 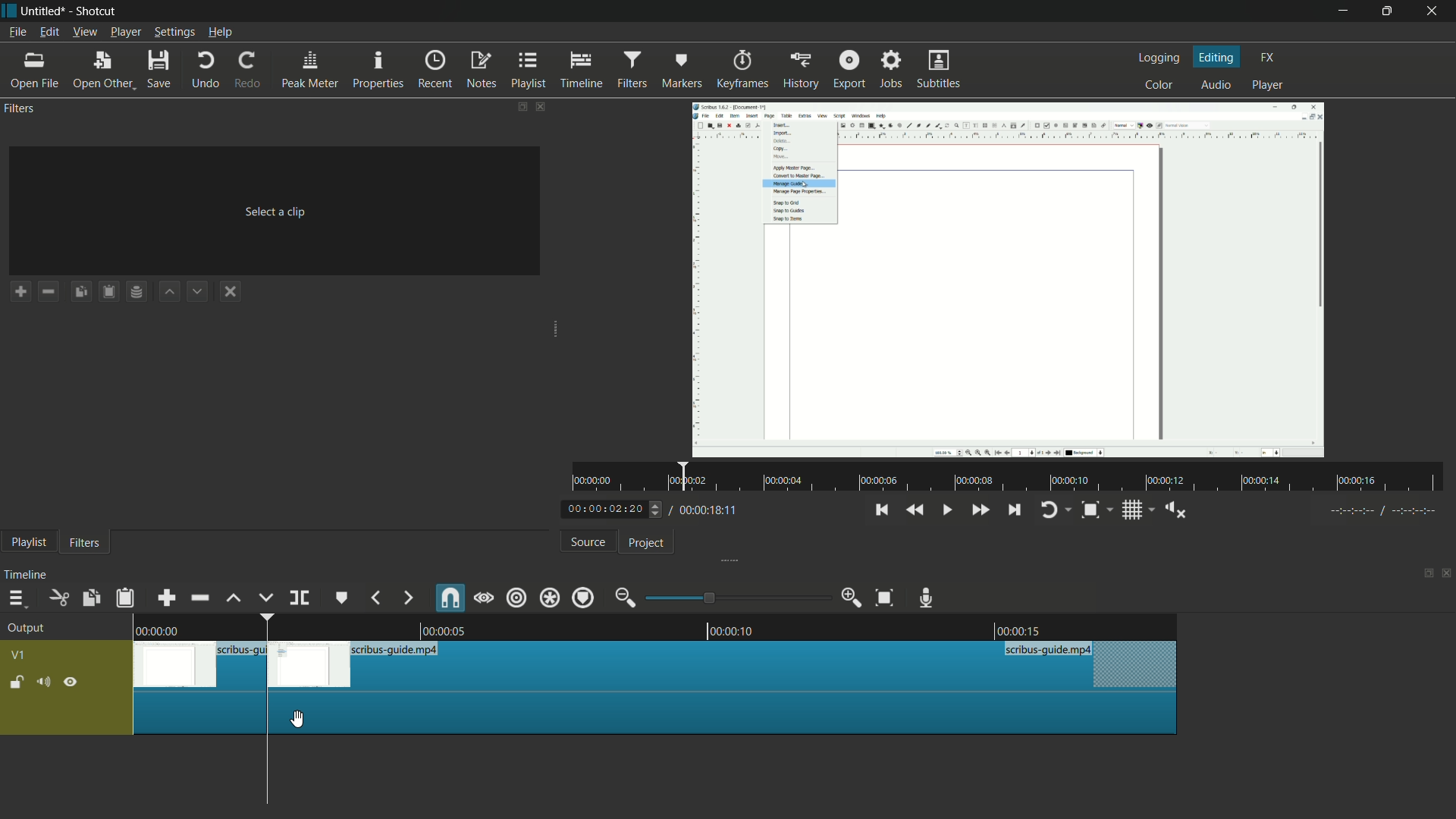 What do you see at coordinates (16, 683) in the screenshot?
I see `lock` at bounding box center [16, 683].